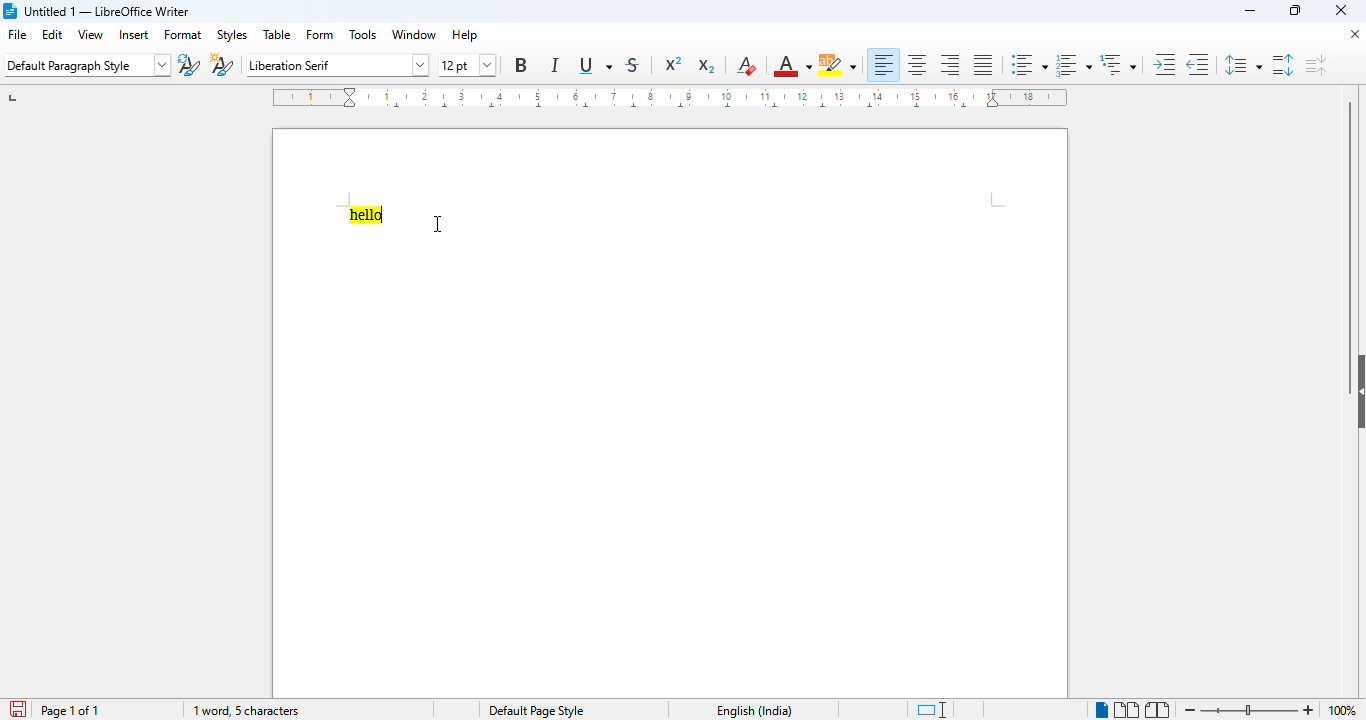 This screenshot has width=1366, height=720. What do you see at coordinates (1102, 710) in the screenshot?
I see `single-page view` at bounding box center [1102, 710].